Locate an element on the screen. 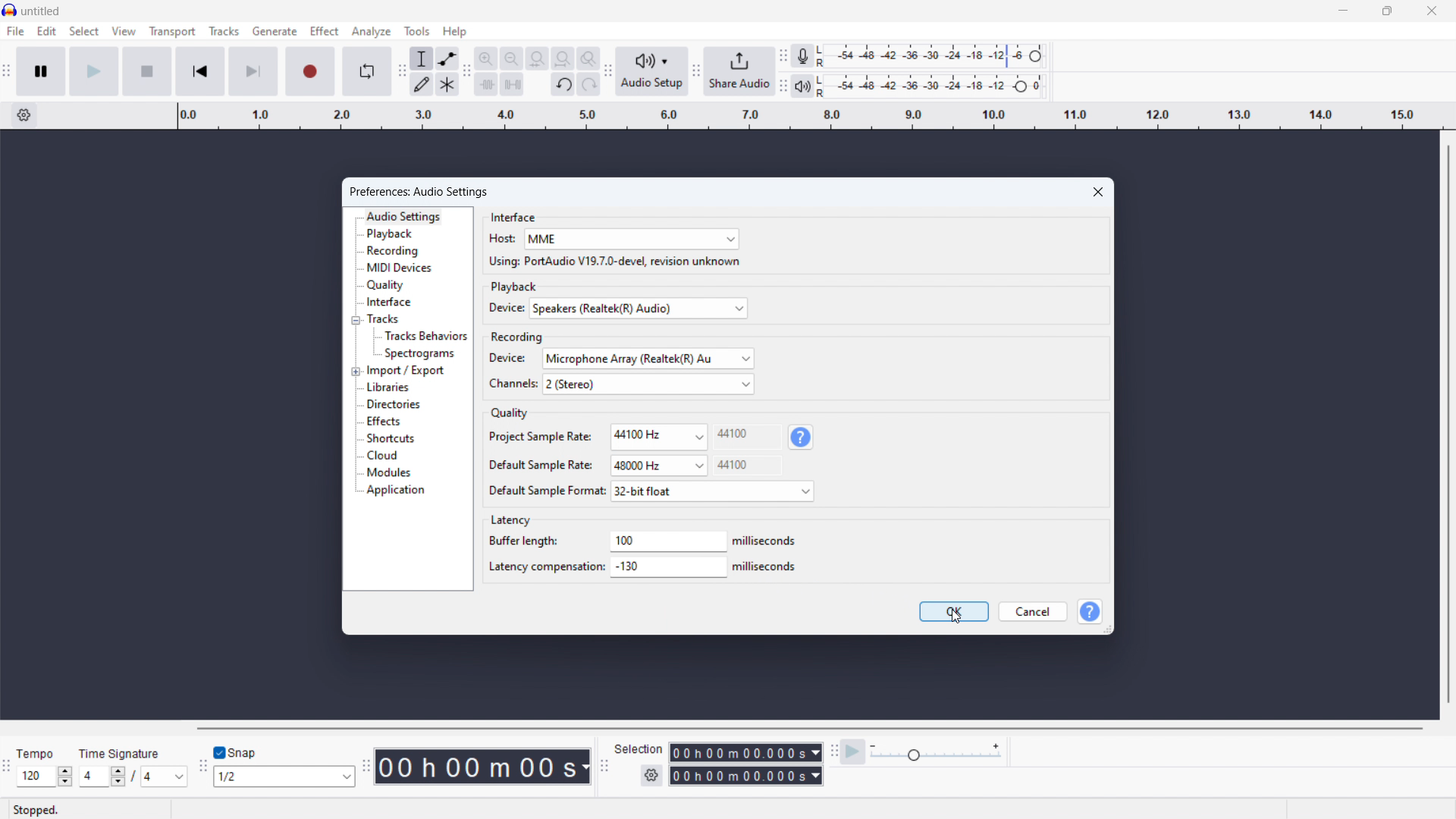  effects is located at coordinates (383, 422).